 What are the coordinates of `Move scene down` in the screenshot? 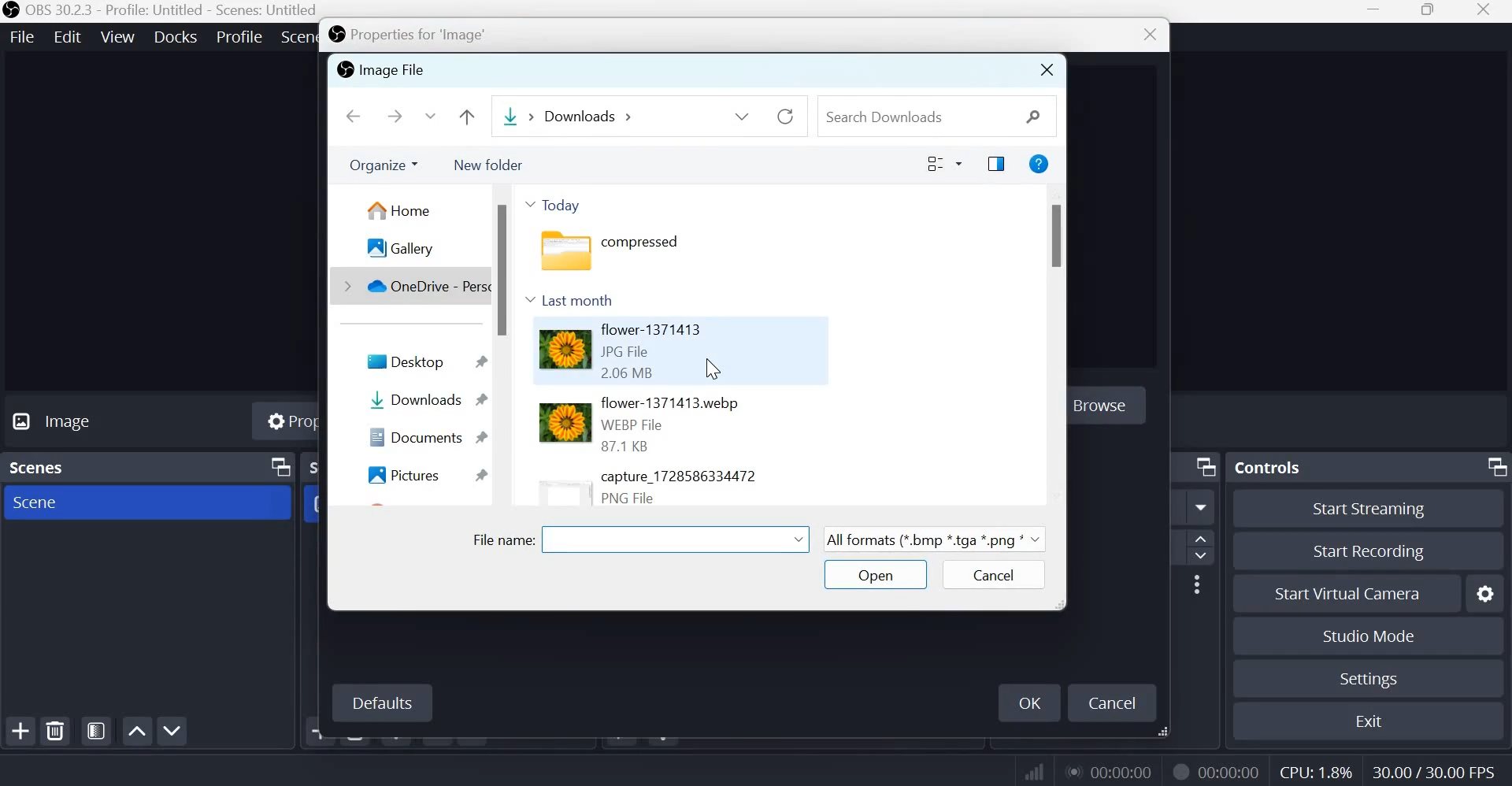 It's located at (172, 731).